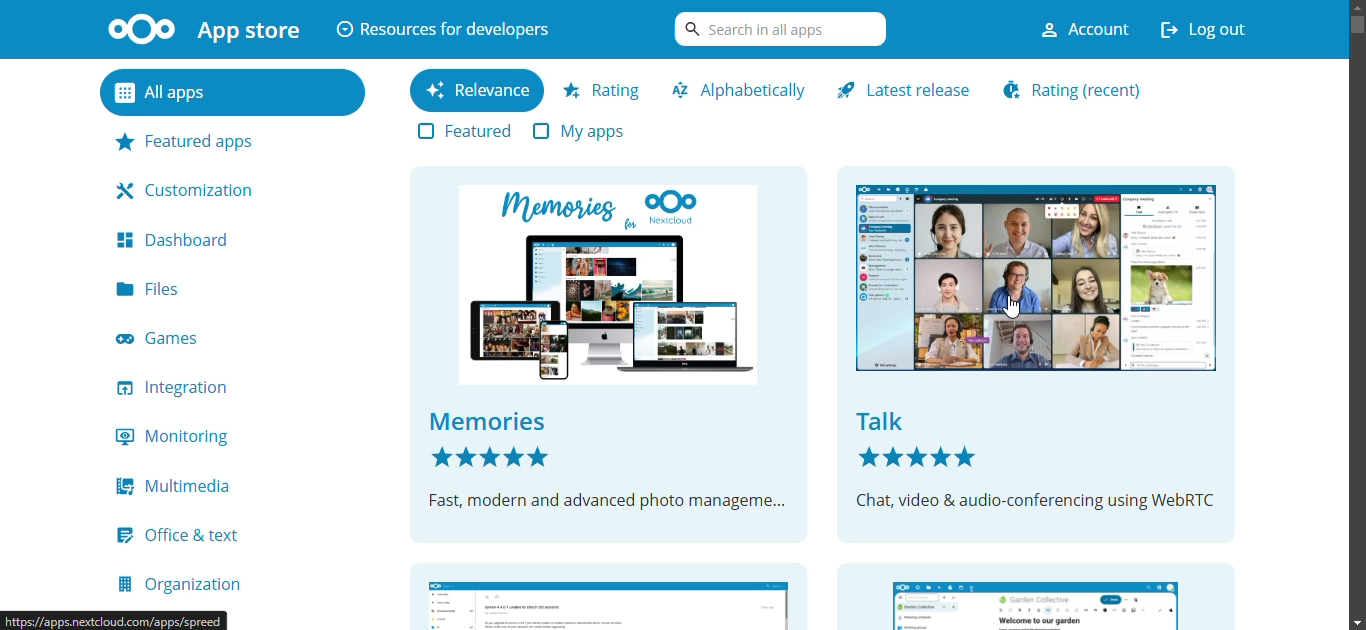 This screenshot has width=1366, height=630. What do you see at coordinates (153, 288) in the screenshot?
I see `files` at bounding box center [153, 288].